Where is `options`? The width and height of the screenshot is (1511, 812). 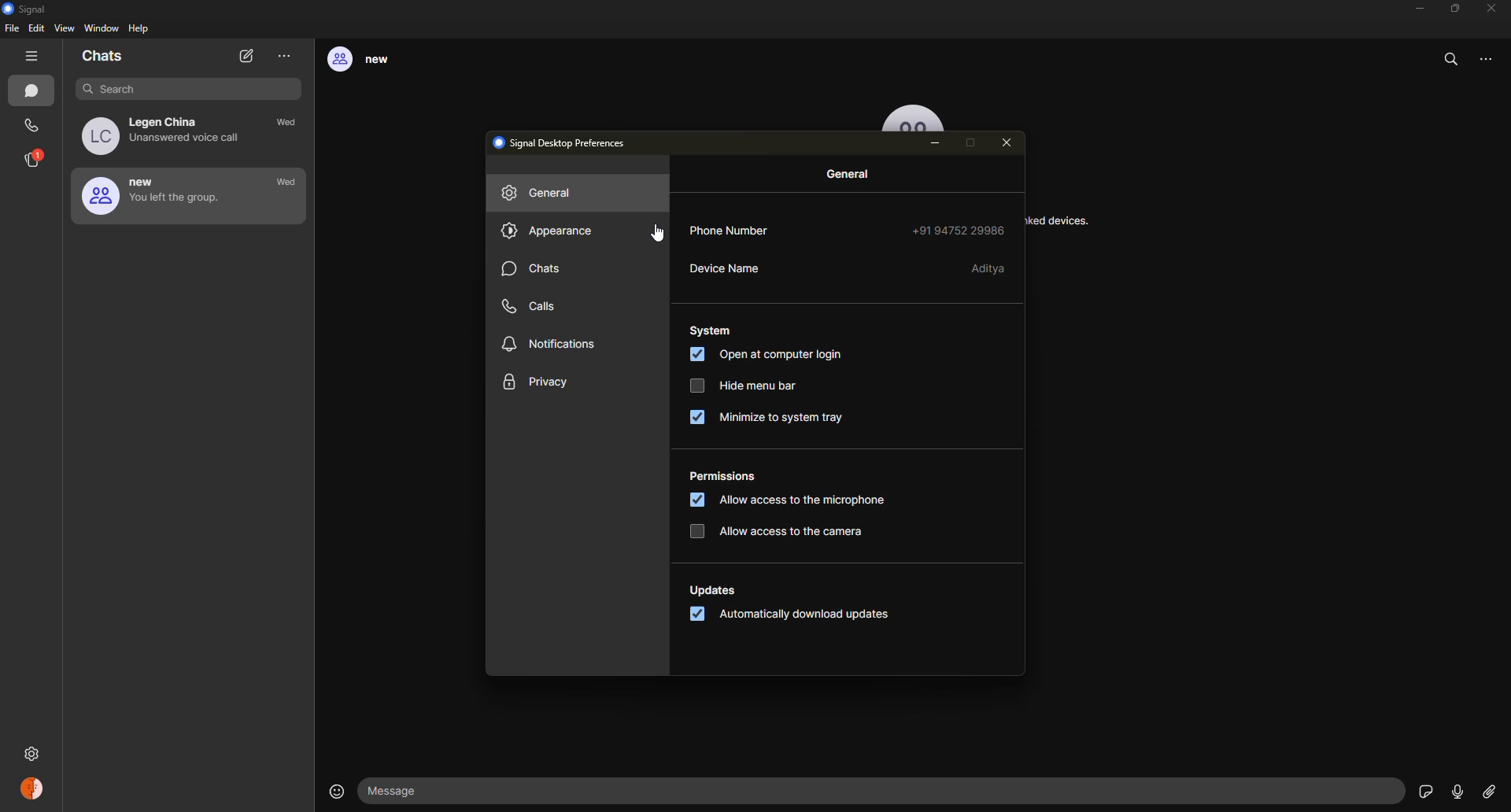 options is located at coordinates (1493, 65).